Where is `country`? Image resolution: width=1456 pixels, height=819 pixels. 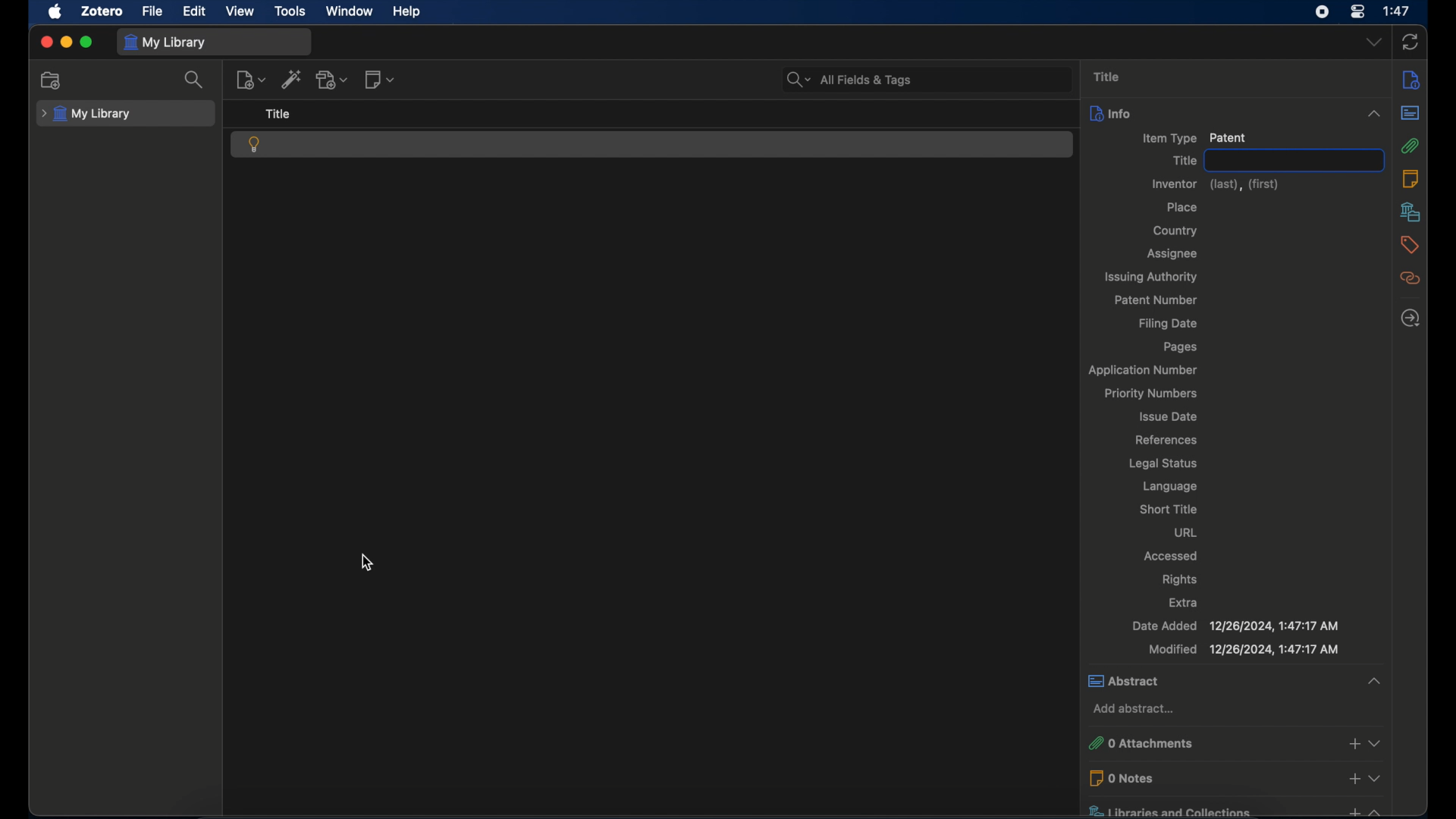 country is located at coordinates (1178, 231).